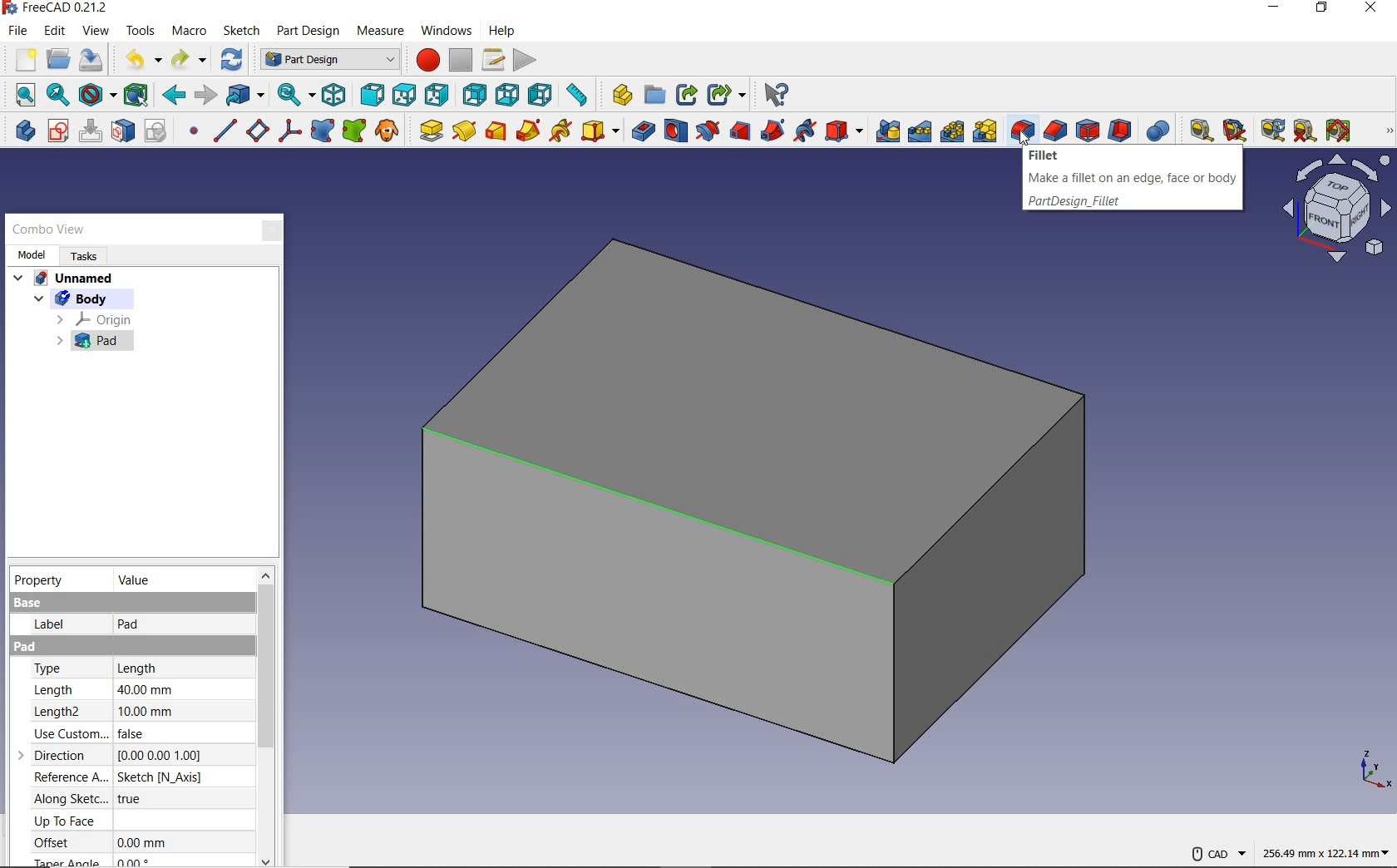  I want to click on tools, so click(142, 31).